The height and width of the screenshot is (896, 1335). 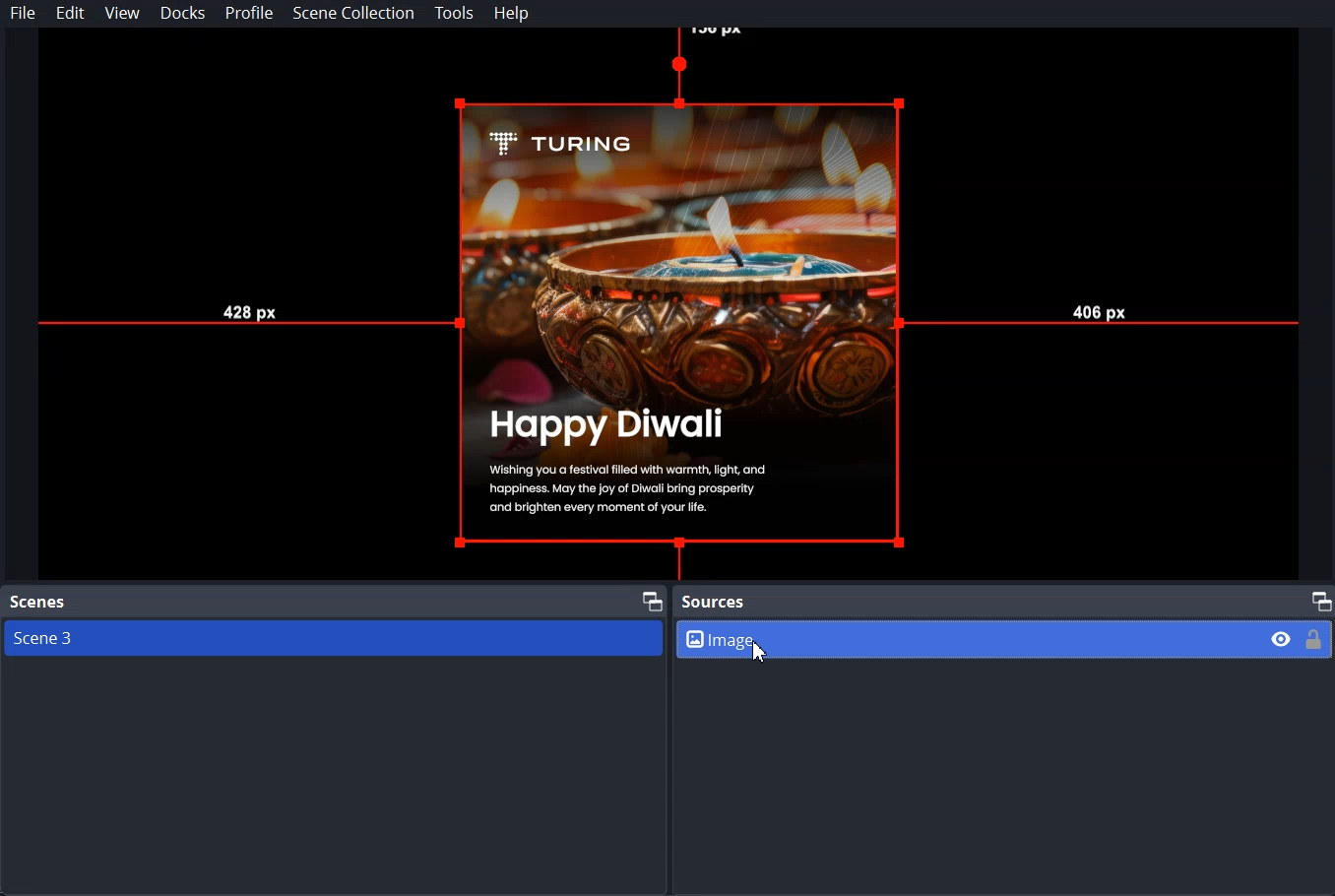 What do you see at coordinates (714, 603) in the screenshot?
I see `Text` at bounding box center [714, 603].